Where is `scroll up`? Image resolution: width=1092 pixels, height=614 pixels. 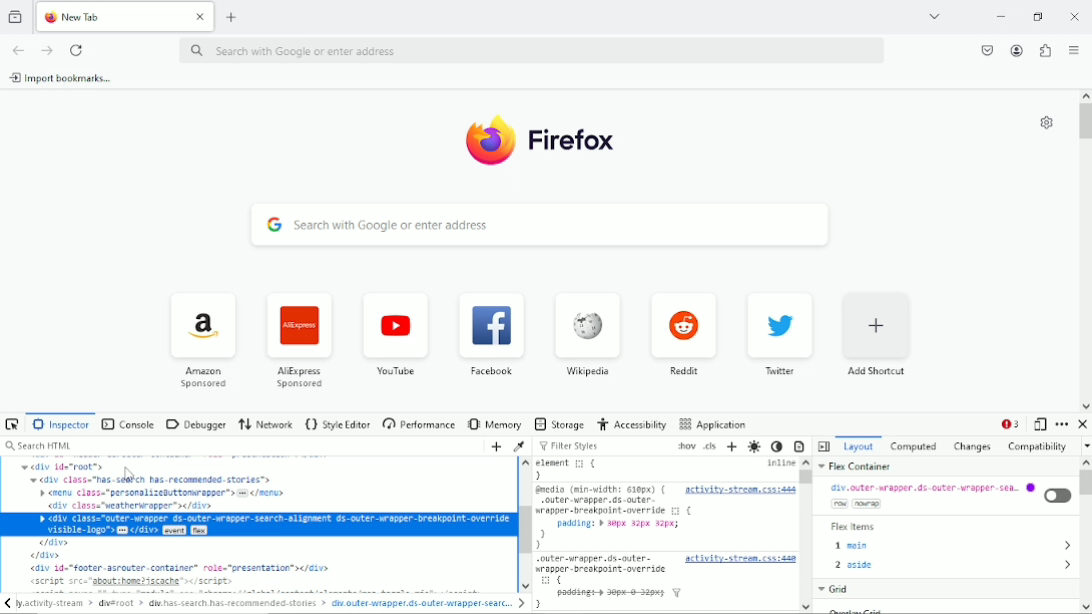 scroll up is located at coordinates (1085, 464).